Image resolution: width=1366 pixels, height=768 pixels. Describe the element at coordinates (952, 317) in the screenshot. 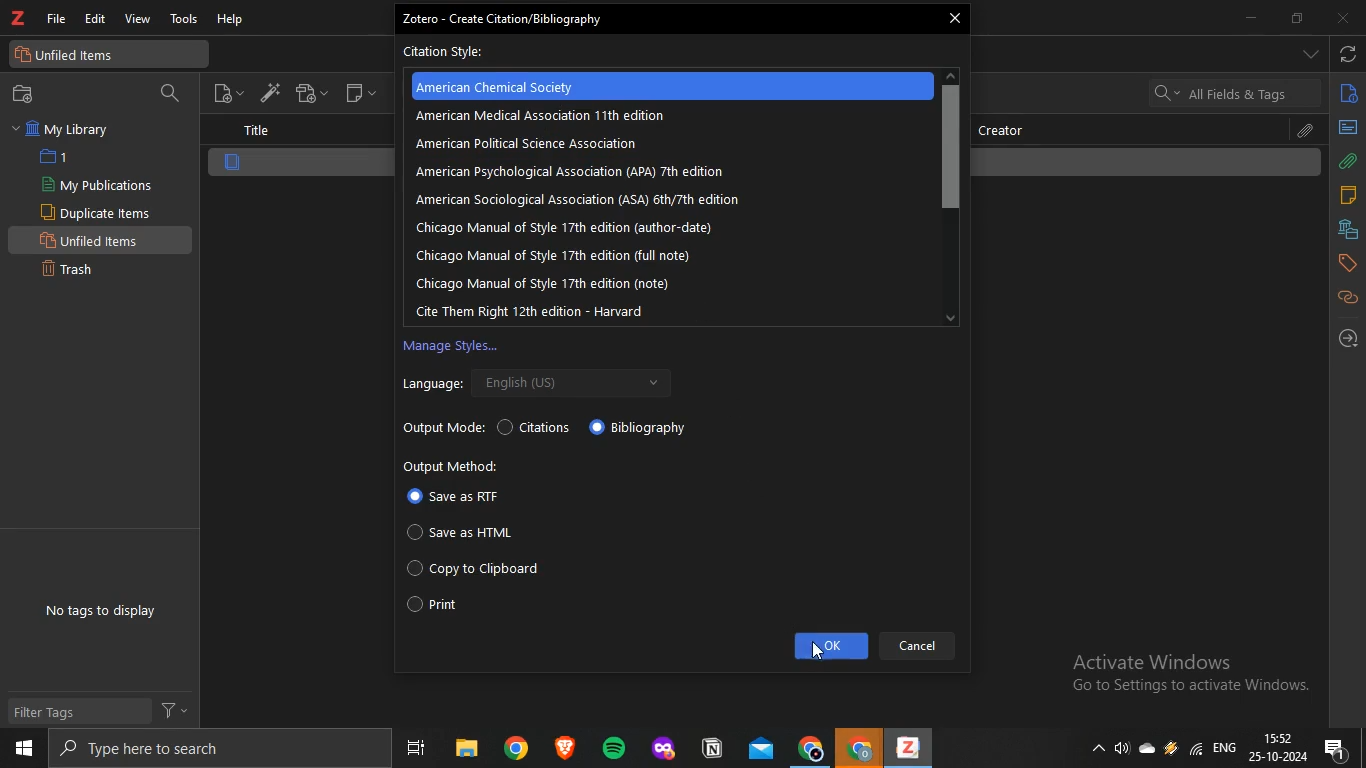

I see `down` at that location.